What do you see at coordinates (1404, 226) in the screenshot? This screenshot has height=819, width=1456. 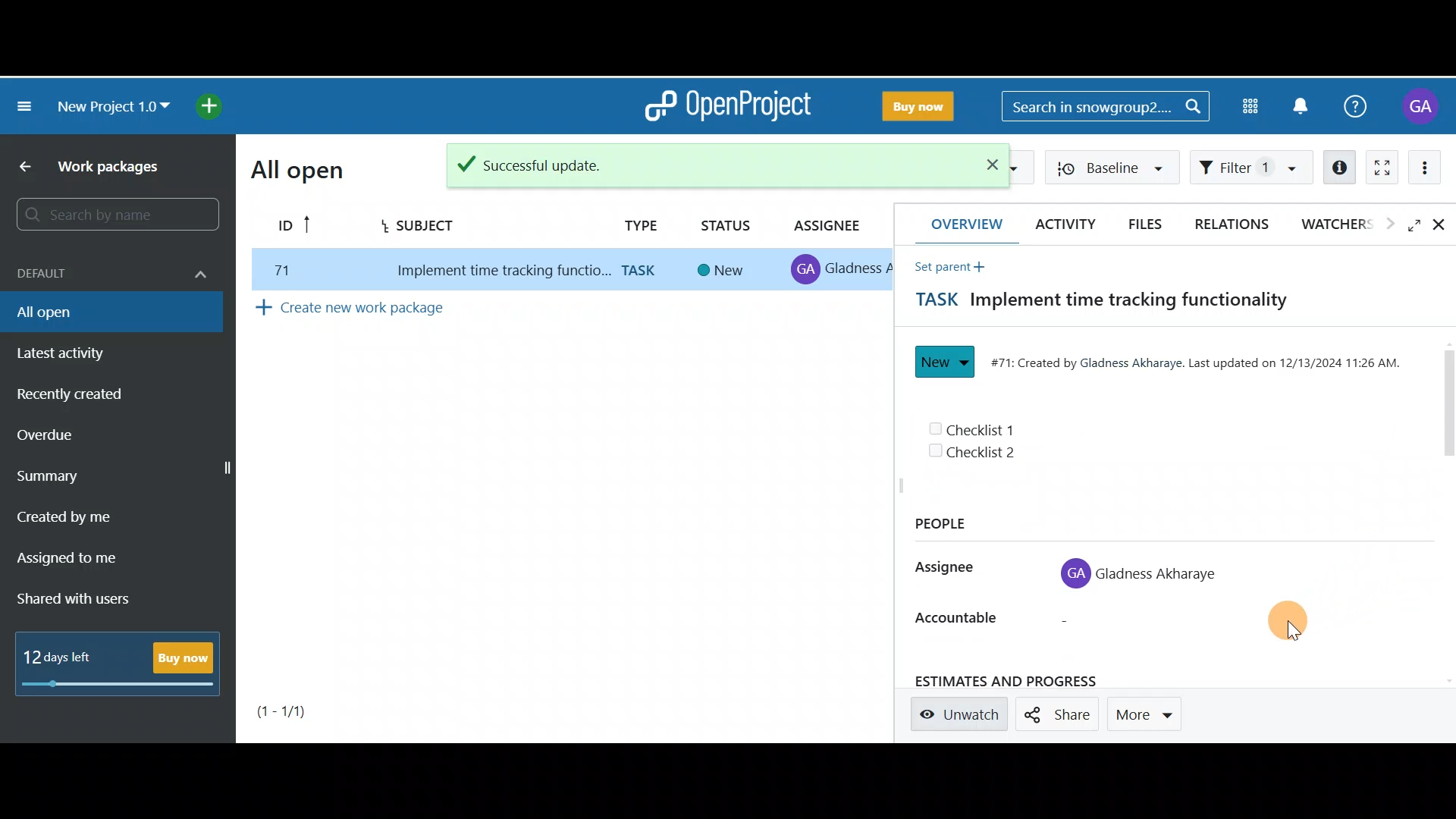 I see `Open fullscreen view` at bounding box center [1404, 226].